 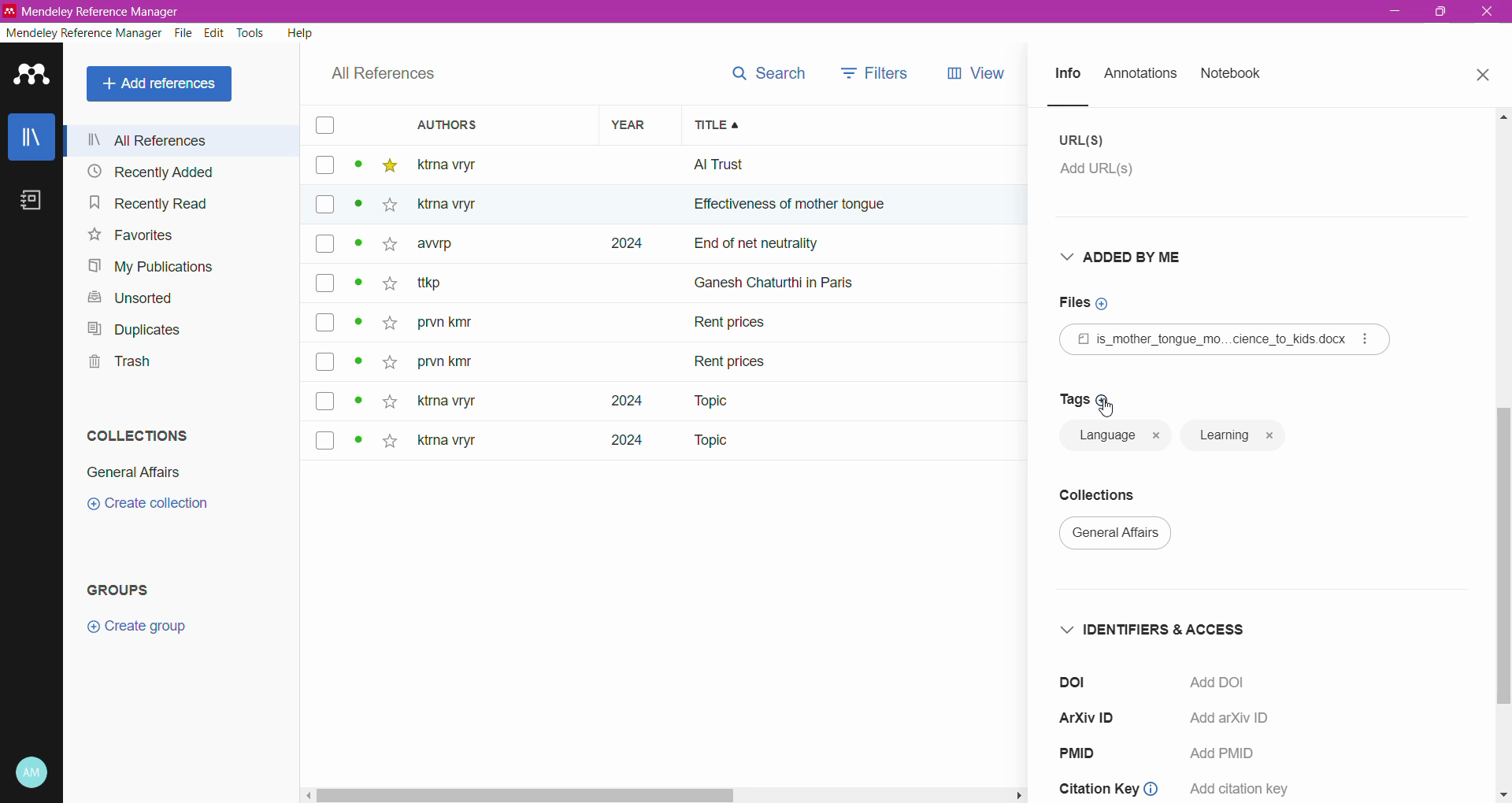 I want to click on dot , so click(x=358, y=366).